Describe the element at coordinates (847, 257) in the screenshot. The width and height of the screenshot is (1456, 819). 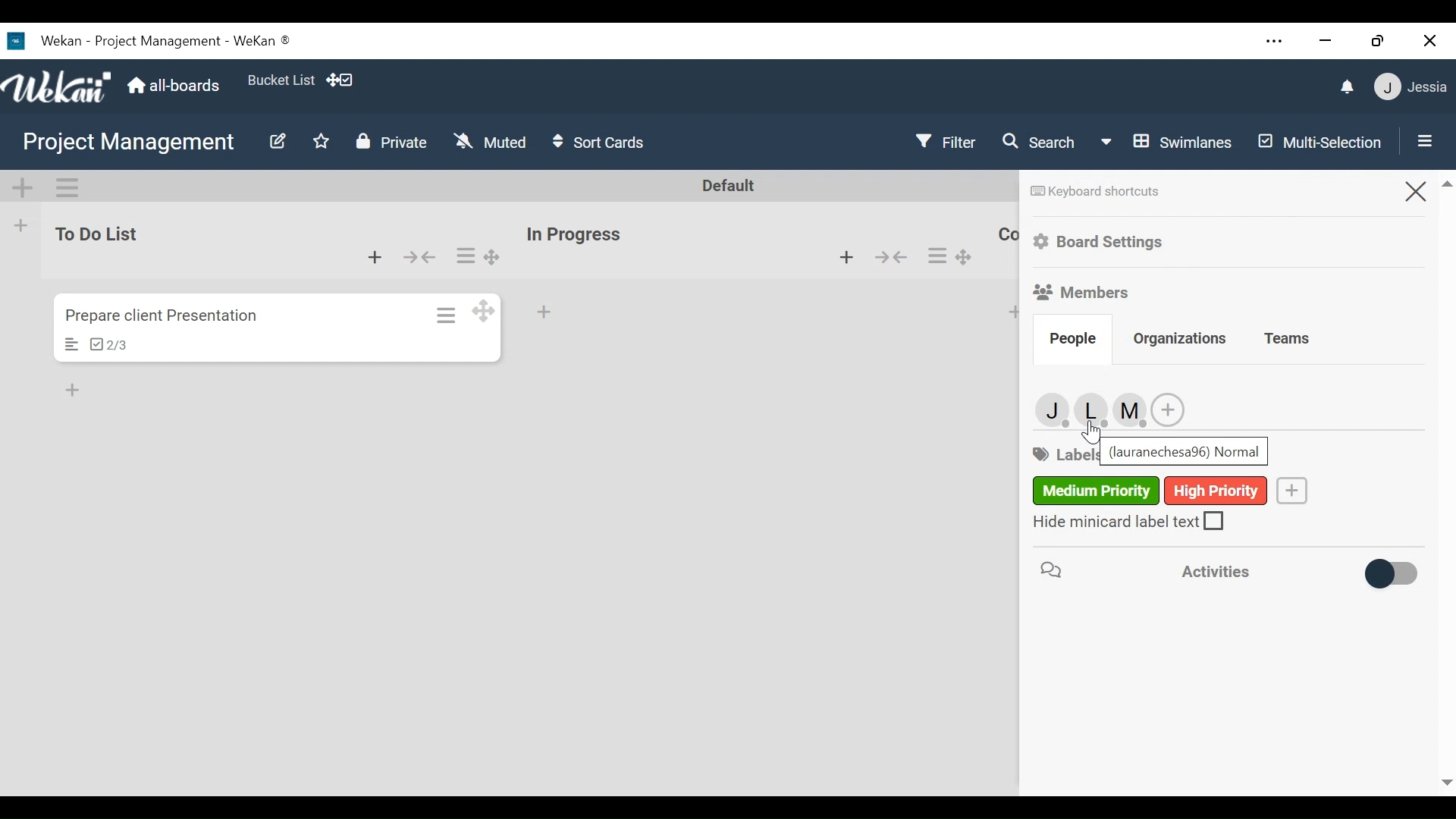
I see `Add card to the bottom of the list` at that location.